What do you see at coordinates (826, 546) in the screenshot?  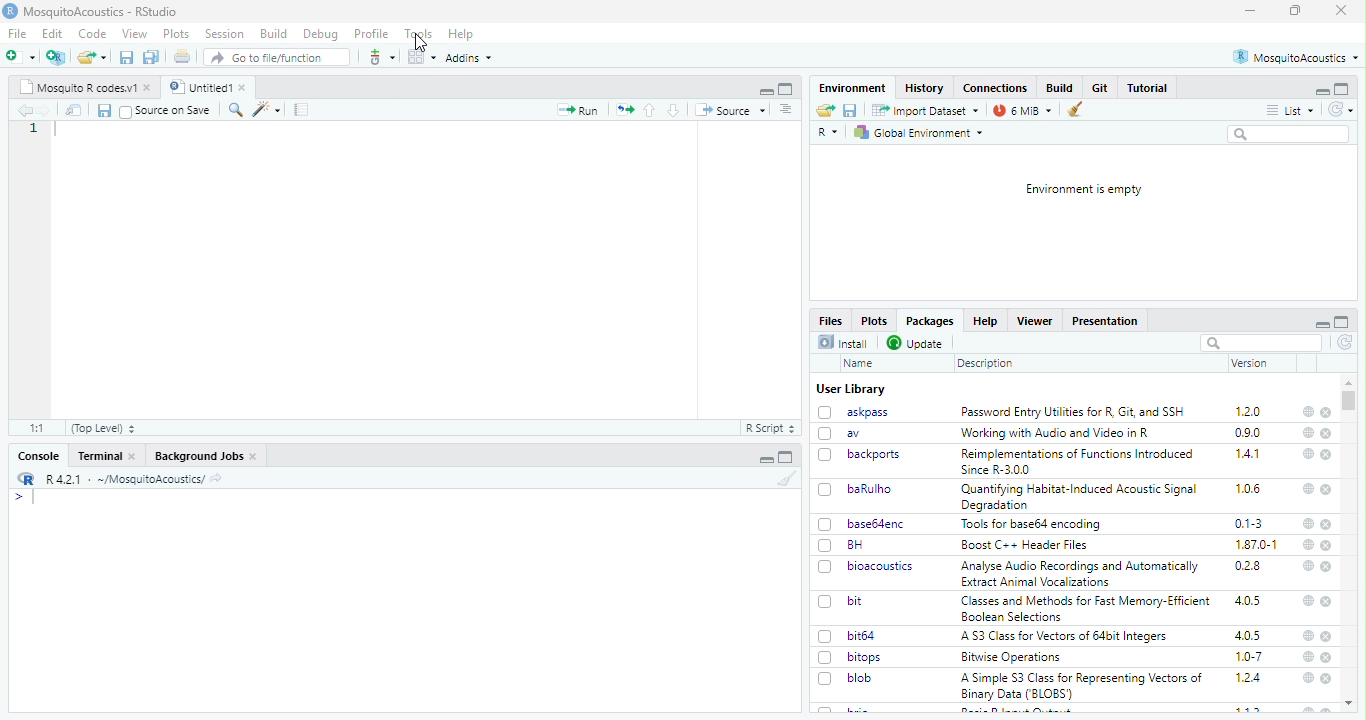 I see `checkbox` at bounding box center [826, 546].